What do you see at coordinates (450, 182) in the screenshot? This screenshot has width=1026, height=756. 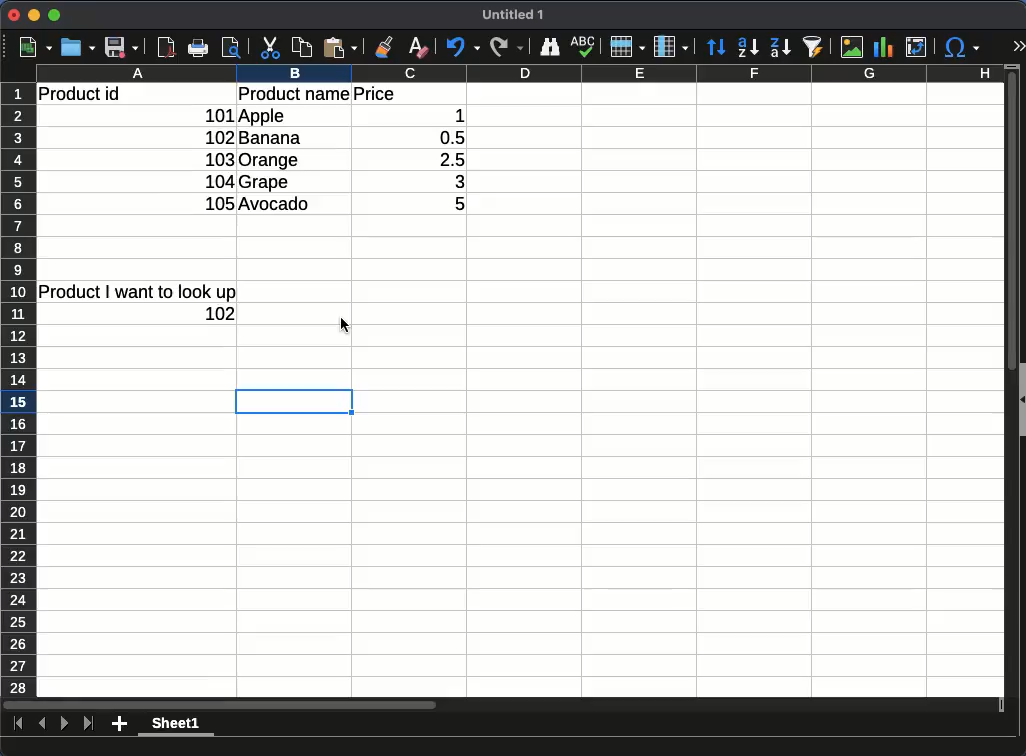 I see `3` at bounding box center [450, 182].